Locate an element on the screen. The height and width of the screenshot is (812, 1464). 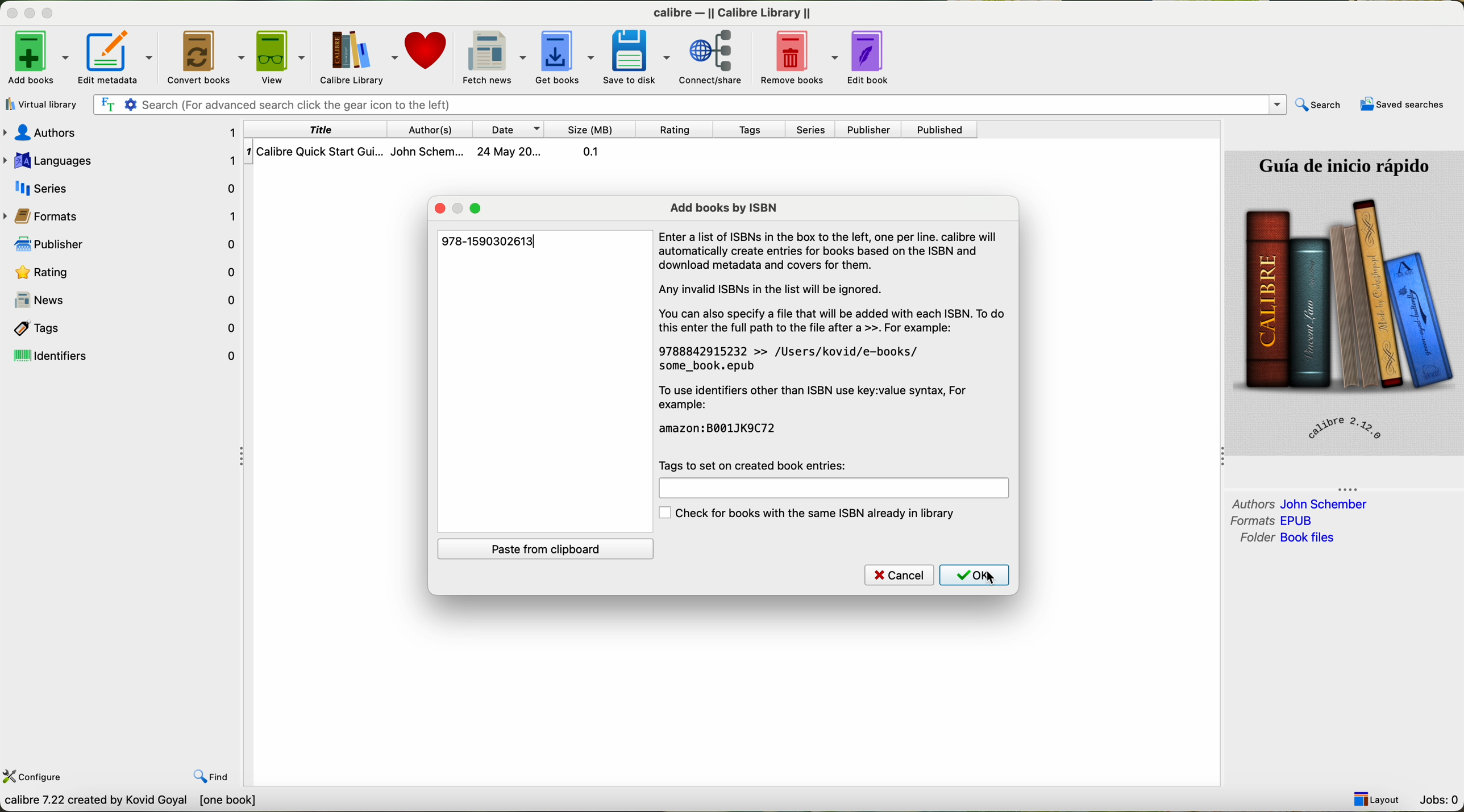
Jobs: 0 is located at coordinates (1440, 801).